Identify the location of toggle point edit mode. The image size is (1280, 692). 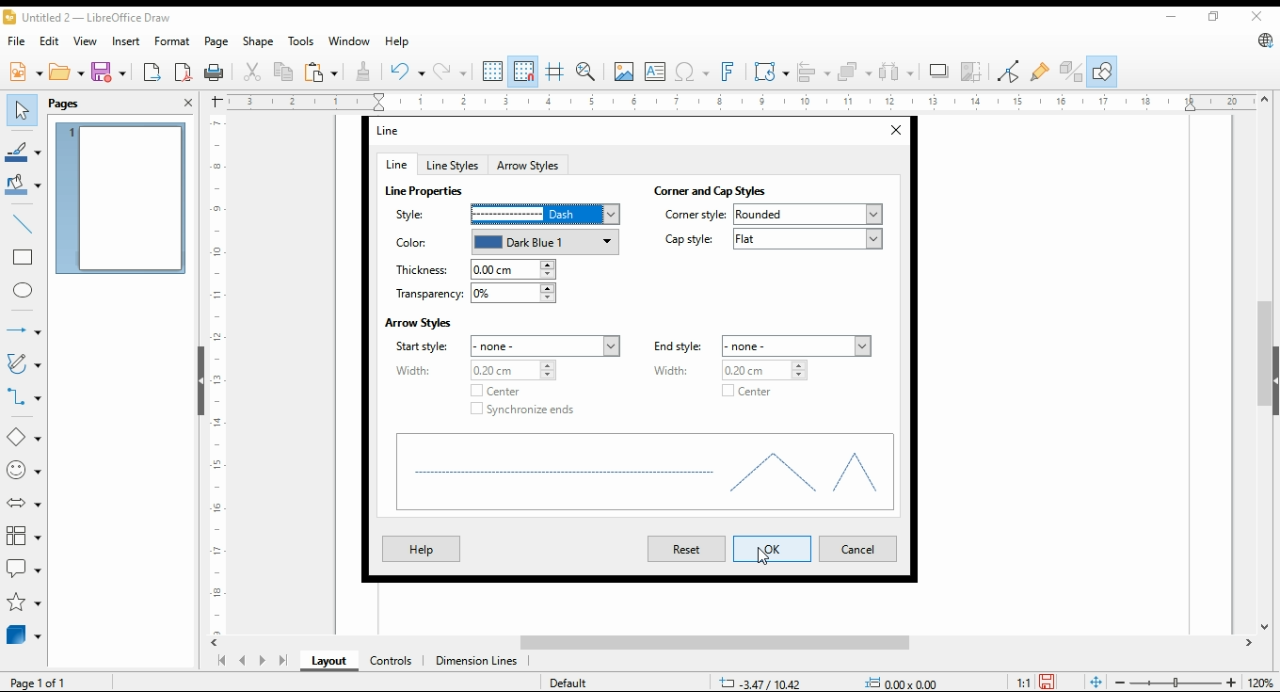
(1009, 71).